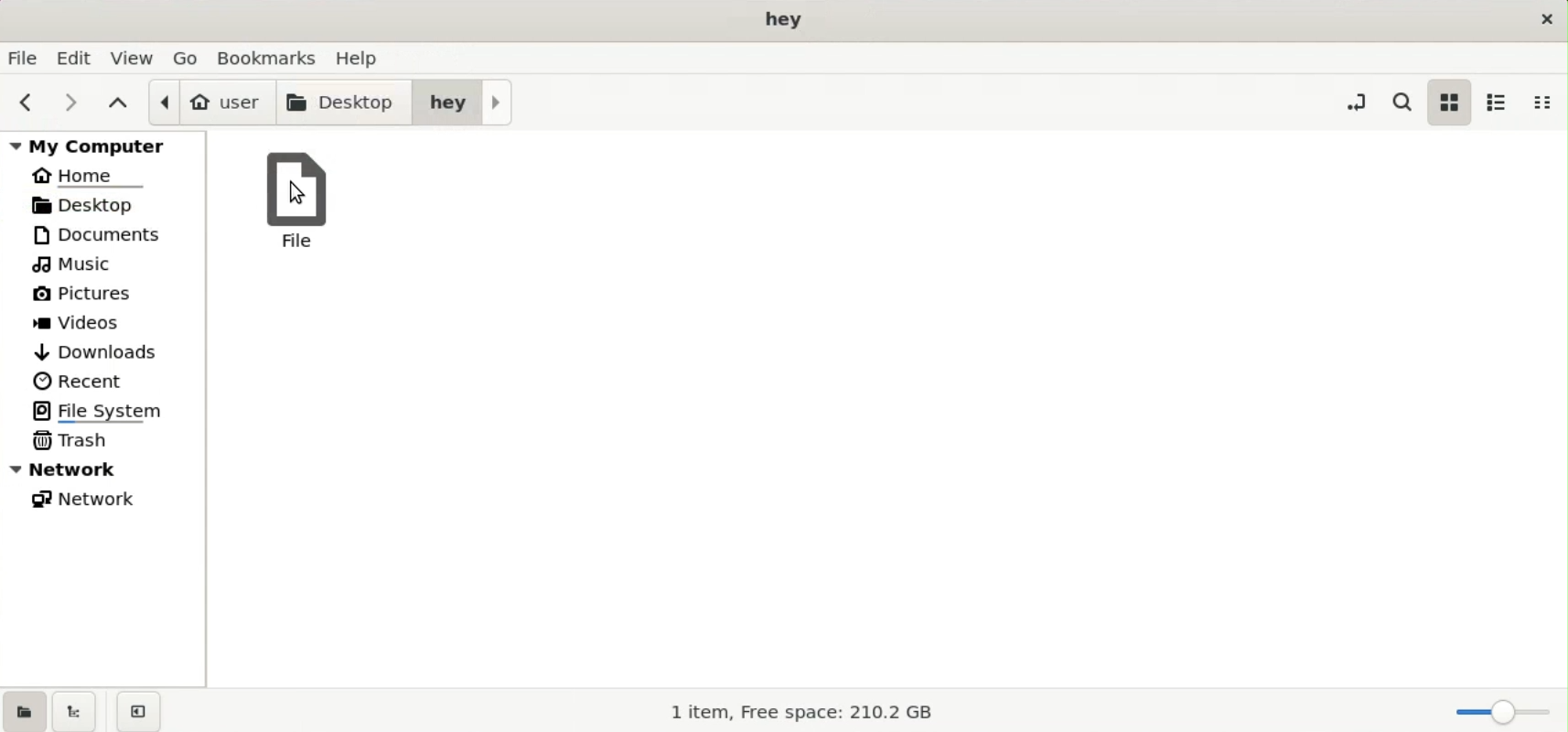 The image size is (1568, 732). Describe the element at coordinates (80, 381) in the screenshot. I see `recent` at that location.